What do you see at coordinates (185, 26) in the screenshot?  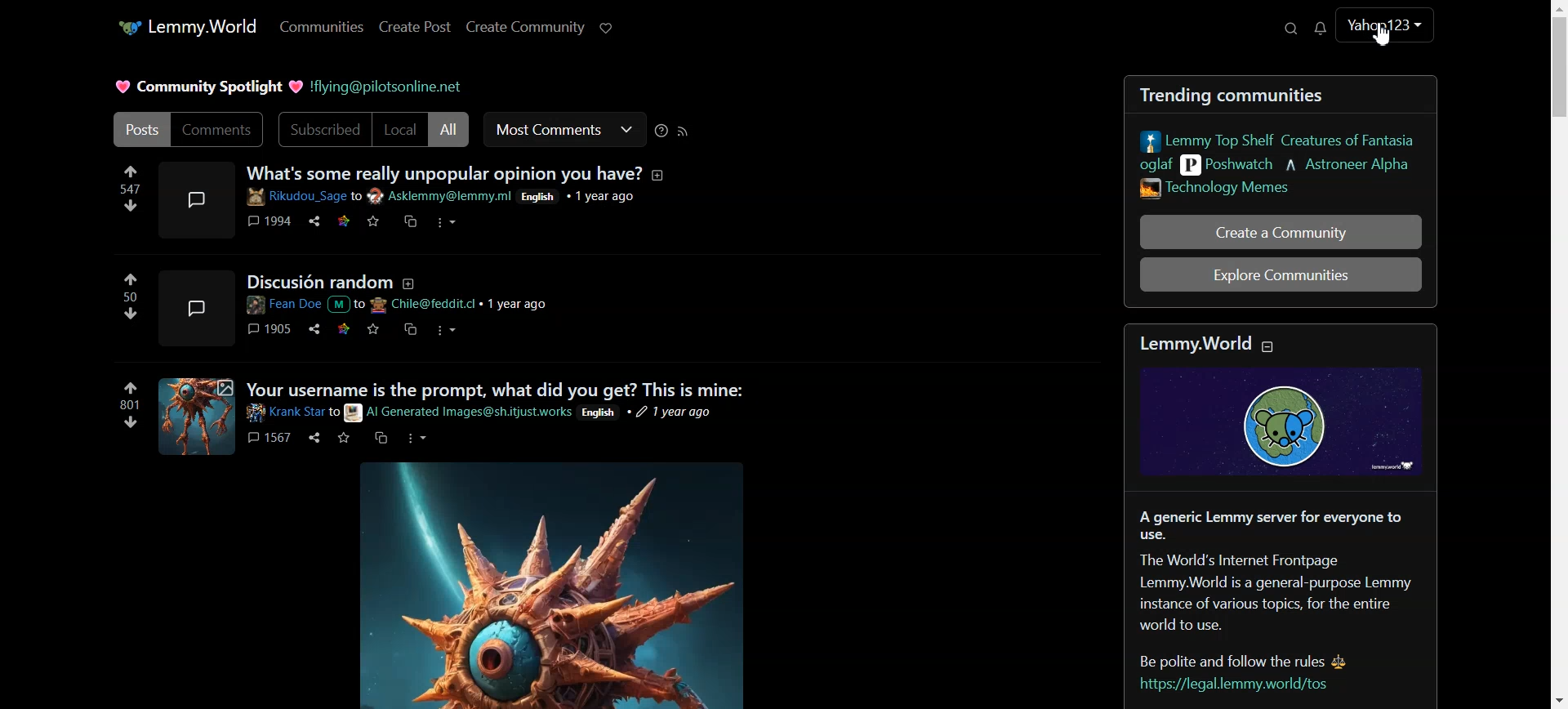 I see `Home Page` at bounding box center [185, 26].